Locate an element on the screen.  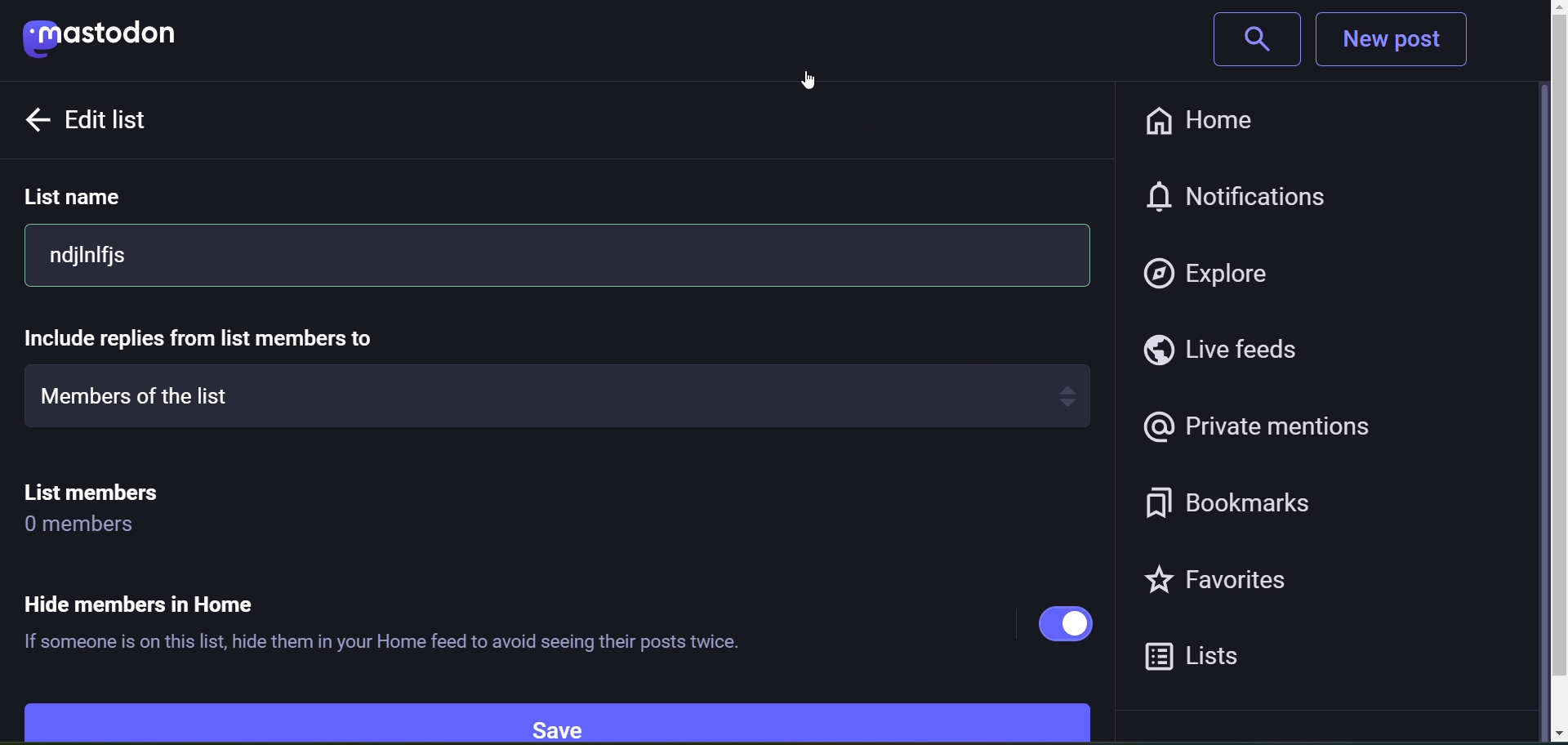
new post is located at coordinates (1405, 41).